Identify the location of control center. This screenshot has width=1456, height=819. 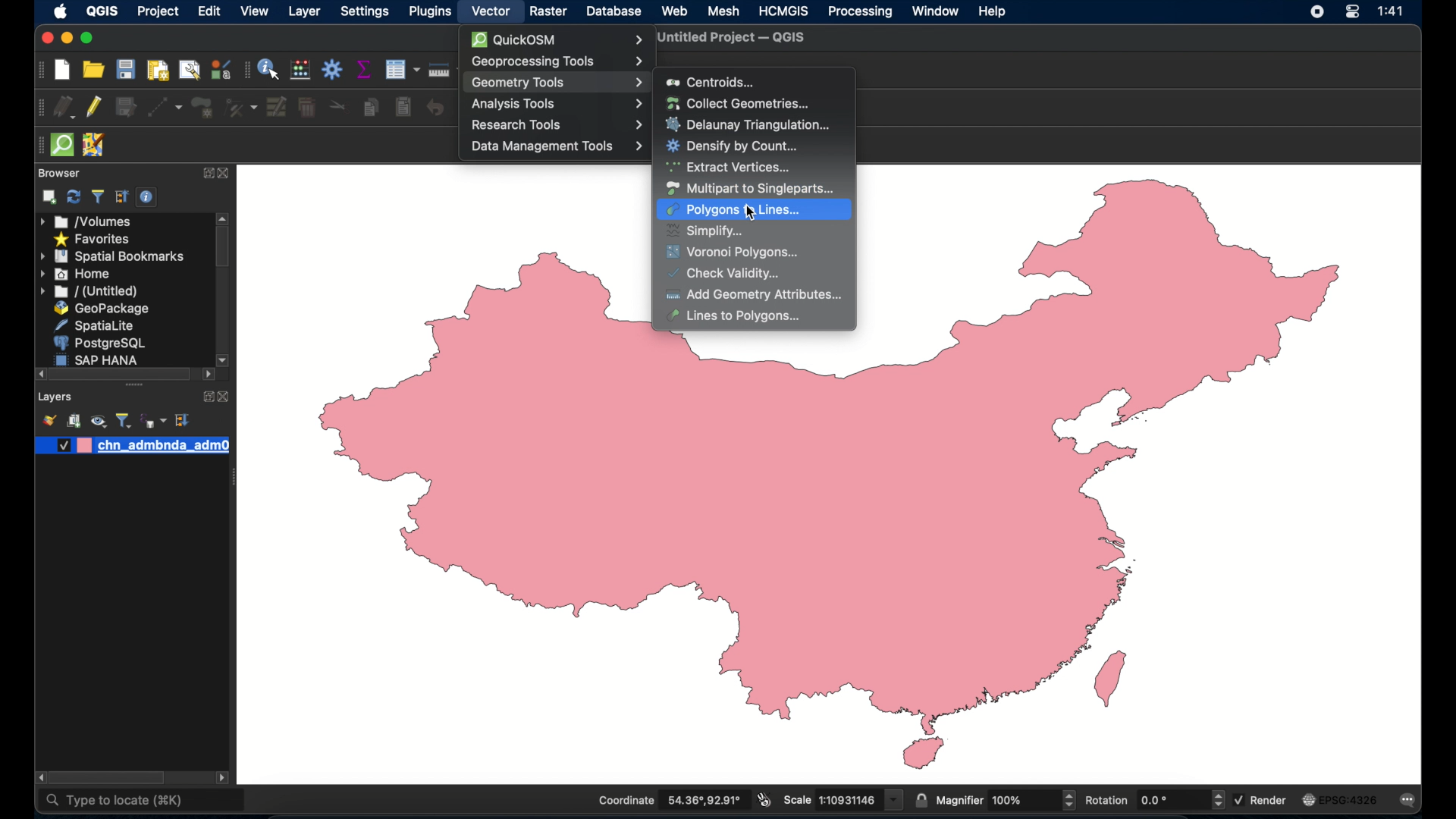
(1351, 14).